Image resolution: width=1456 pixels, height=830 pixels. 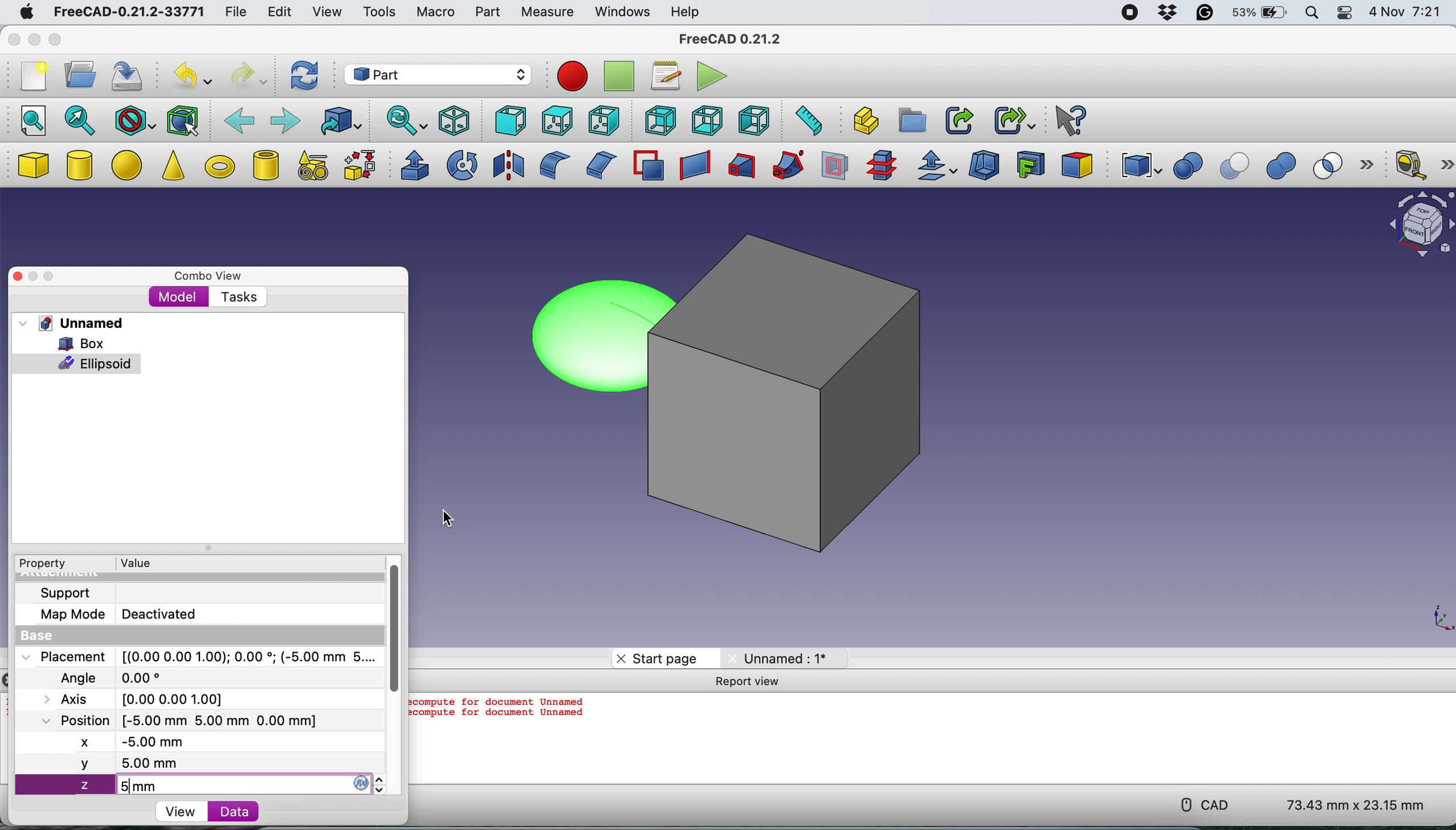 I want to click on view, so click(x=326, y=11).